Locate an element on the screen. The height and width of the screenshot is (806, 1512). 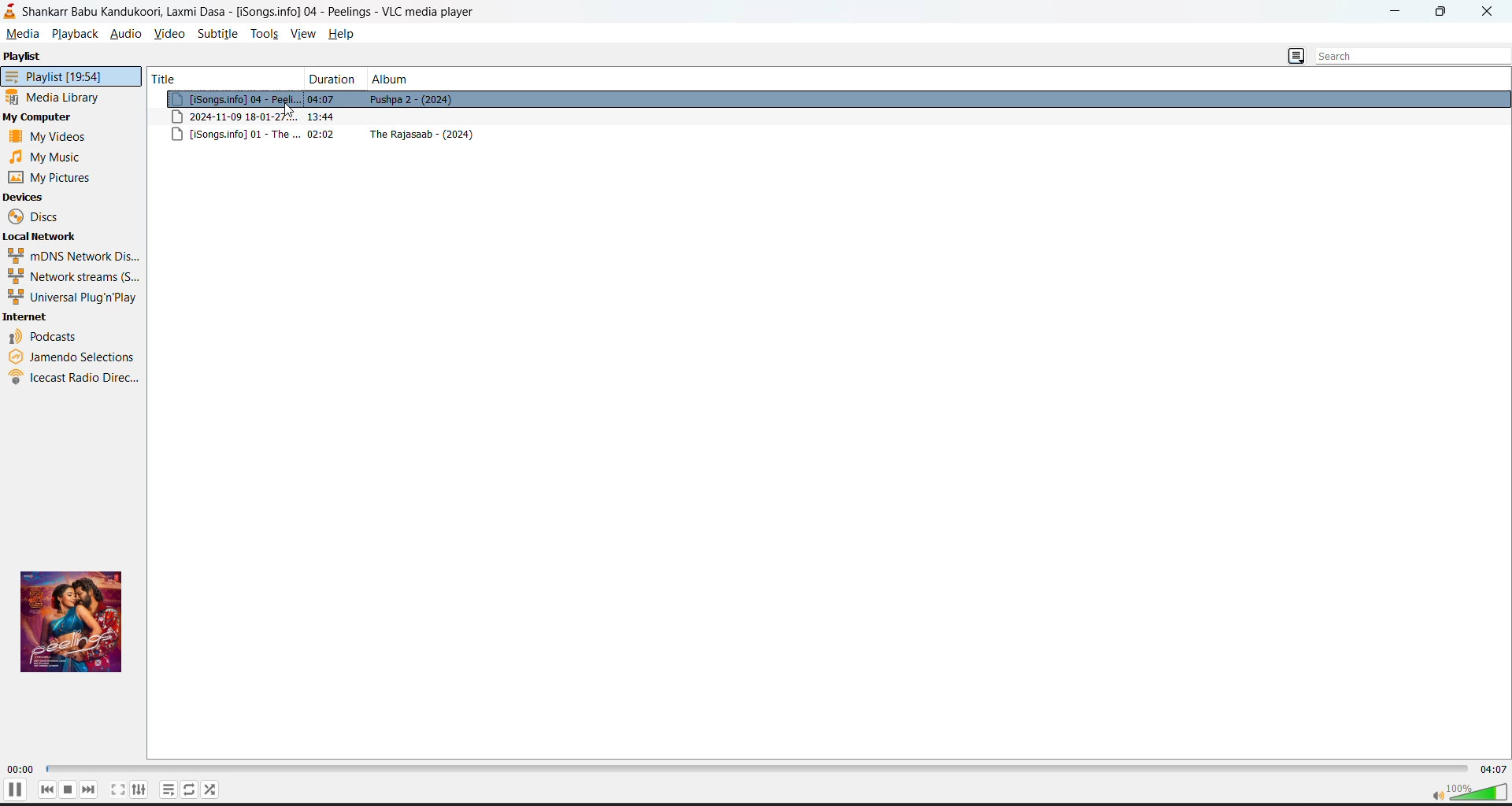
toggle fullscreen is located at coordinates (118, 790).